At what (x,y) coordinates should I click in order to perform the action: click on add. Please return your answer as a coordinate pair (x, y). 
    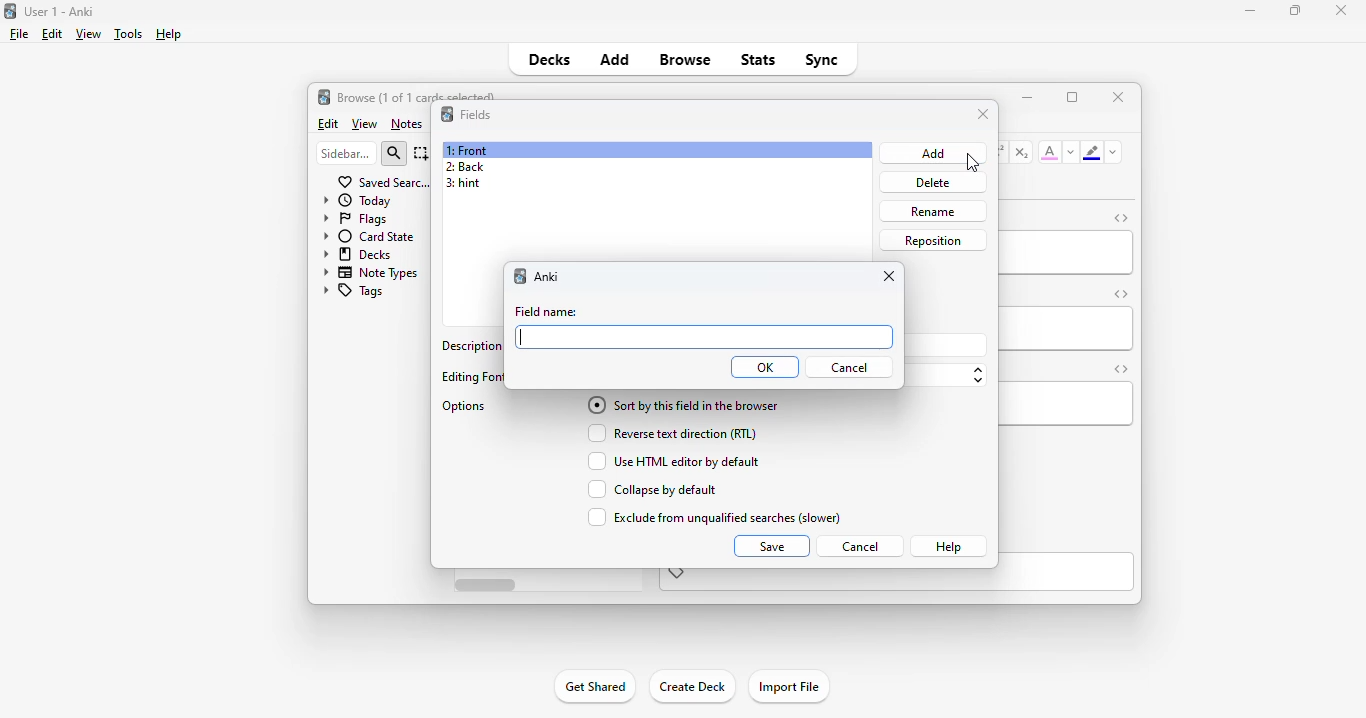
    Looking at the image, I should click on (935, 153).